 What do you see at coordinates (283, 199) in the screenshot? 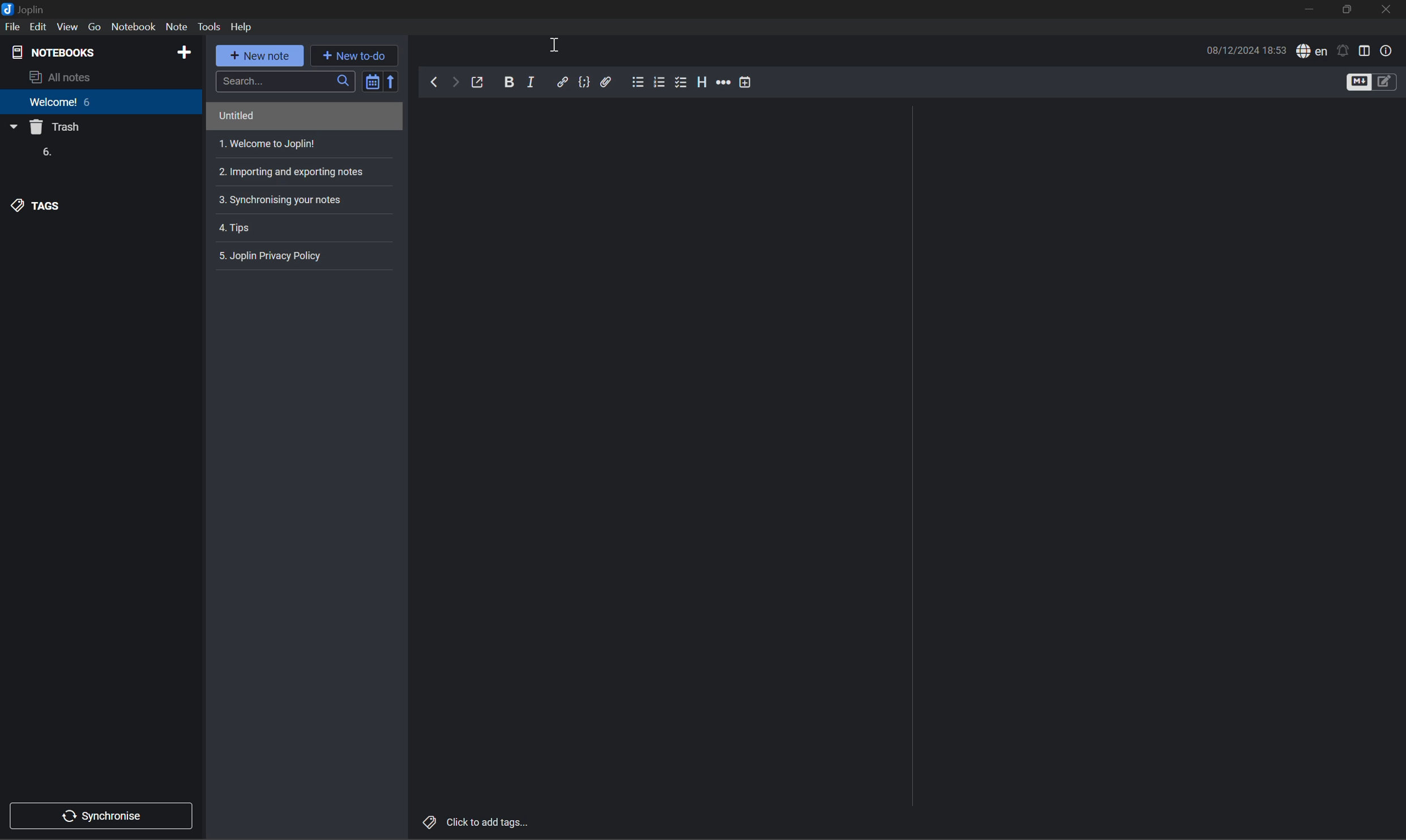
I see `3. Synchronising your notes` at bounding box center [283, 199].